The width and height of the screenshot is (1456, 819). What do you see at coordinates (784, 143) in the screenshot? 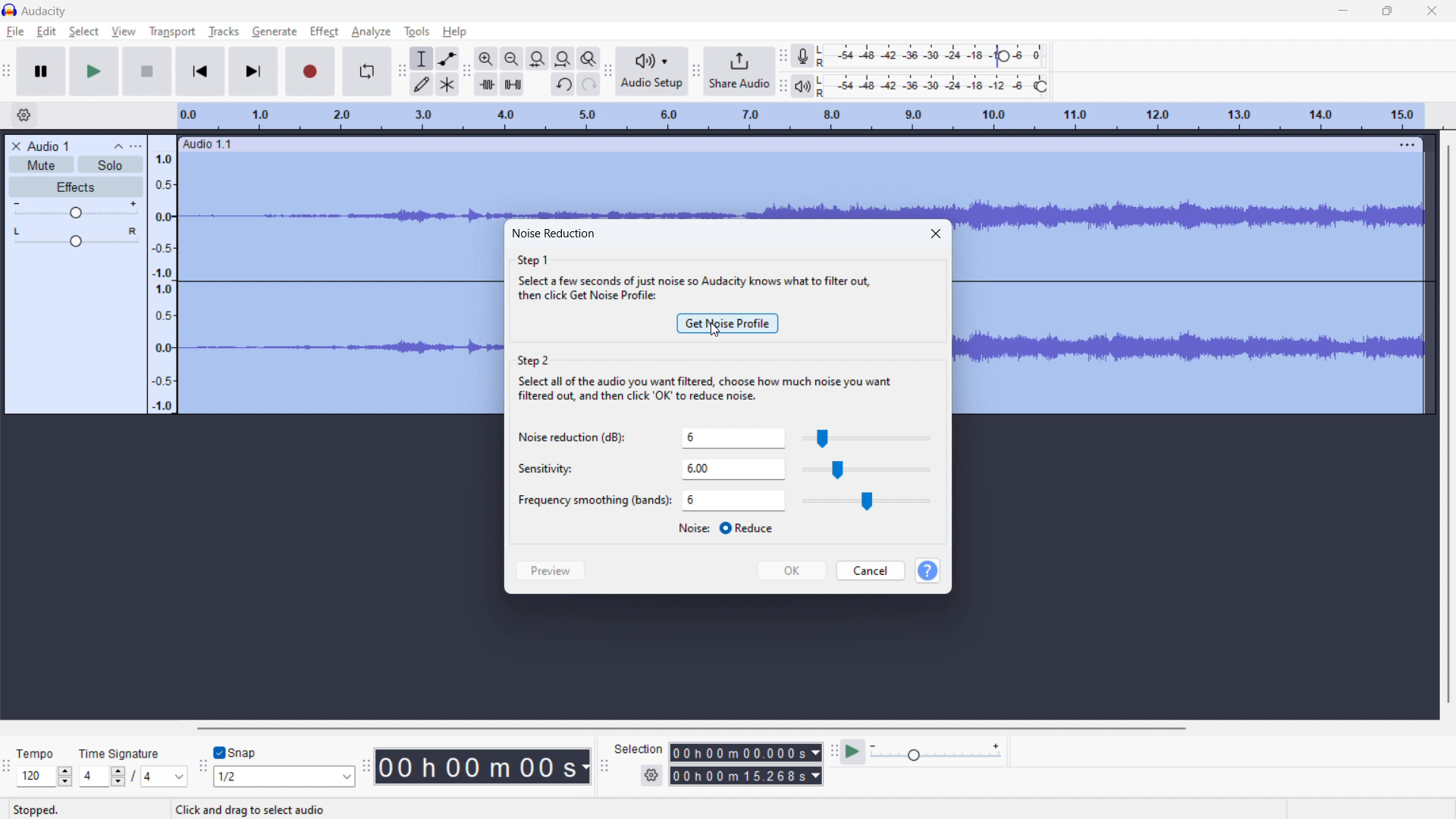
I see `hold to move` at bounding box center [784, 143].